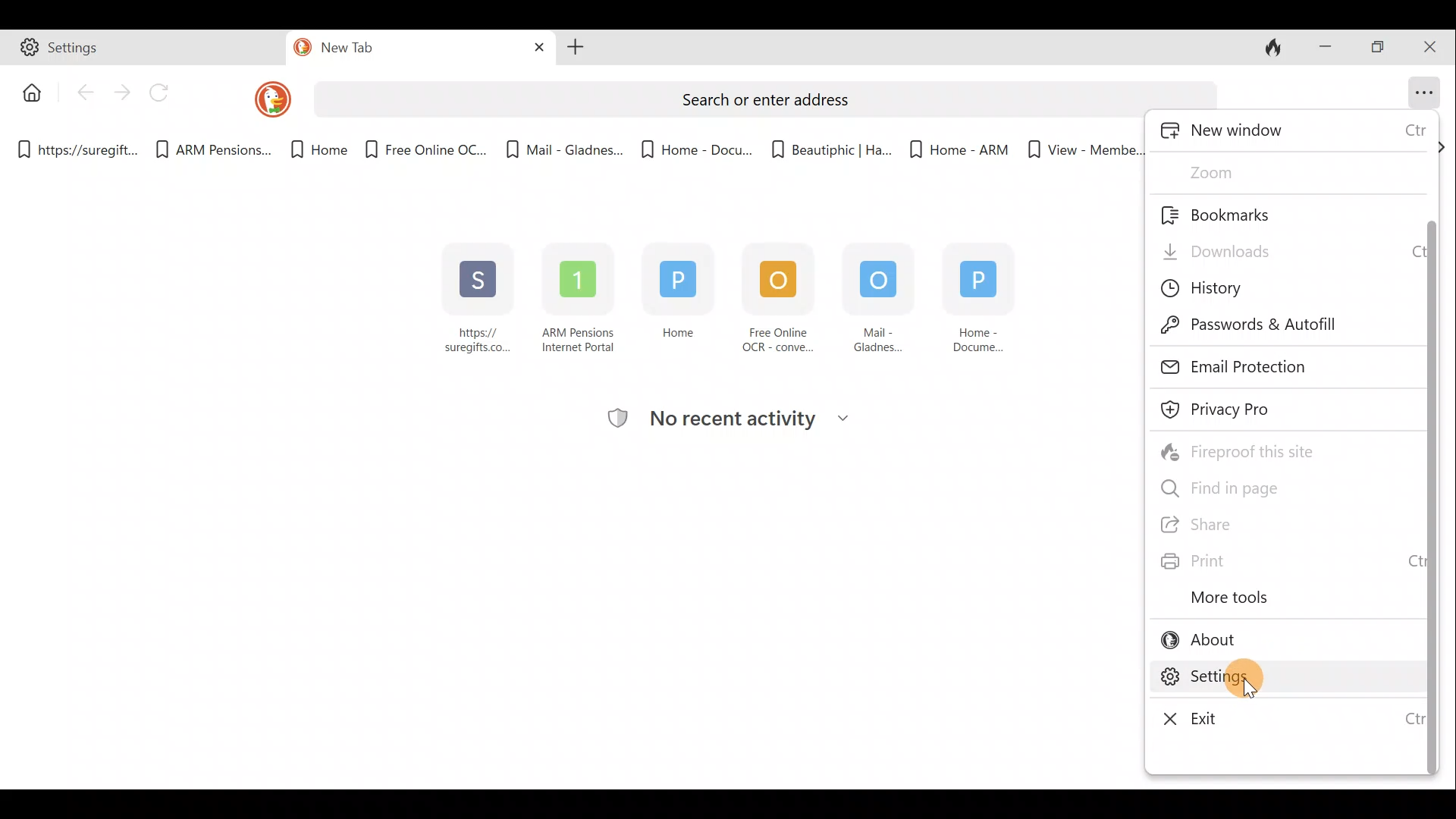 The height and width of the screenshot is (819, 1456). Describe the element at coordinates (878, 297) in the screenshot. I see `Mail - Gladness` at that location.